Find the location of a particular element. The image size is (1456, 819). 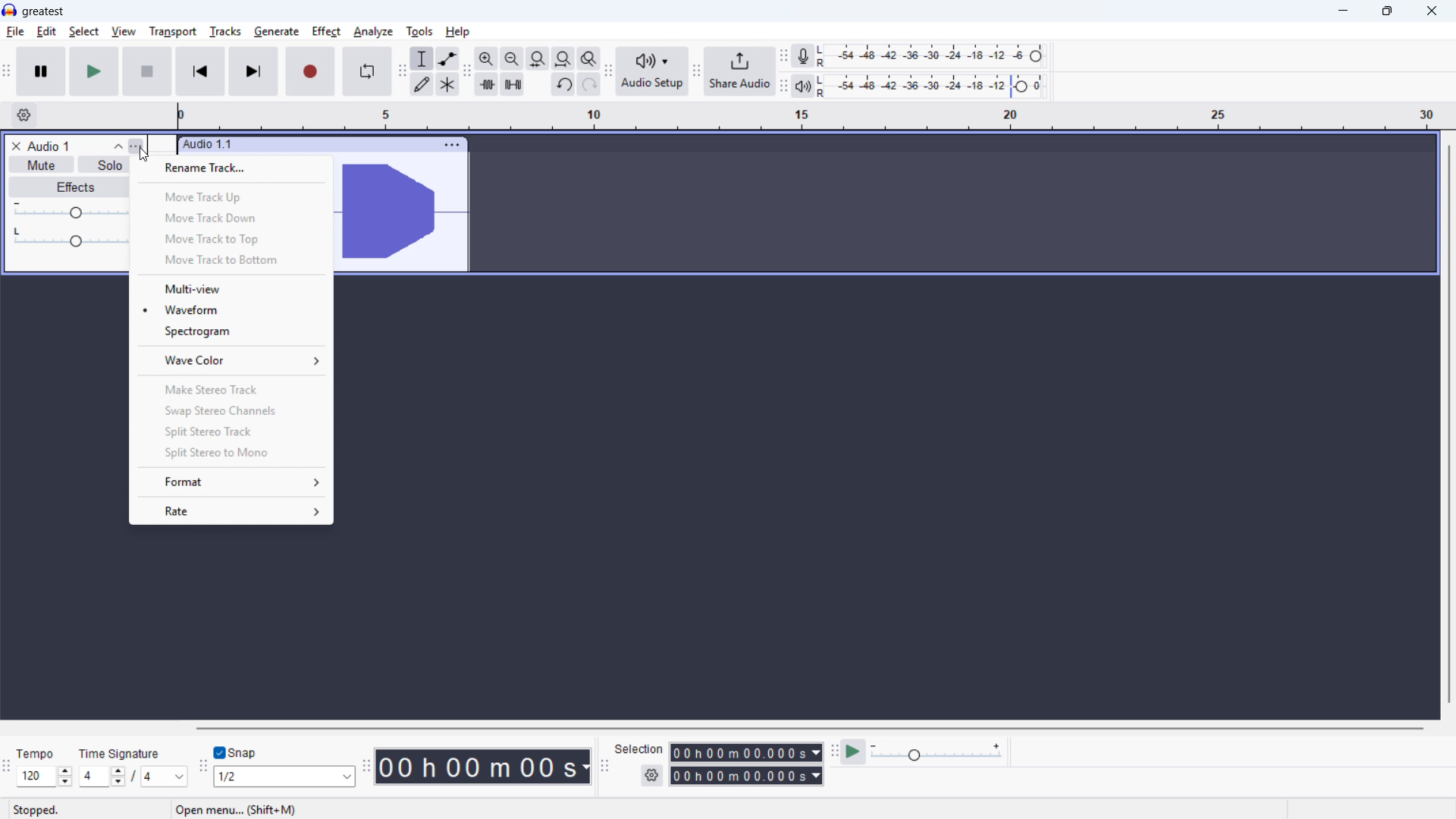

Snapping toolbar  is located at coordinates (203, 770).